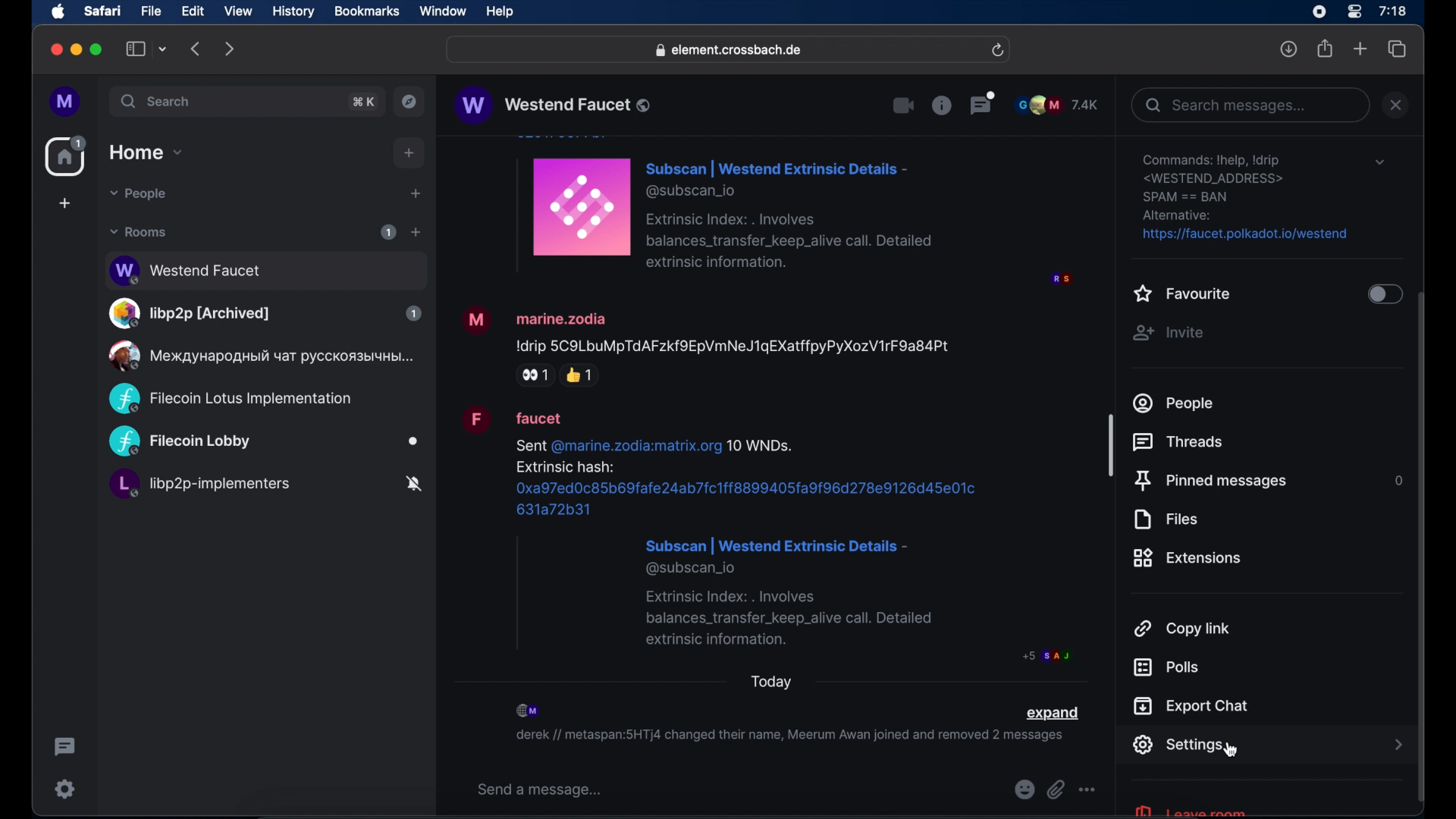 The height and width of the screenshot is (819, 1456). Describe the element at coordinates (66, 789) in the screenshot. I see `settings` at that location.